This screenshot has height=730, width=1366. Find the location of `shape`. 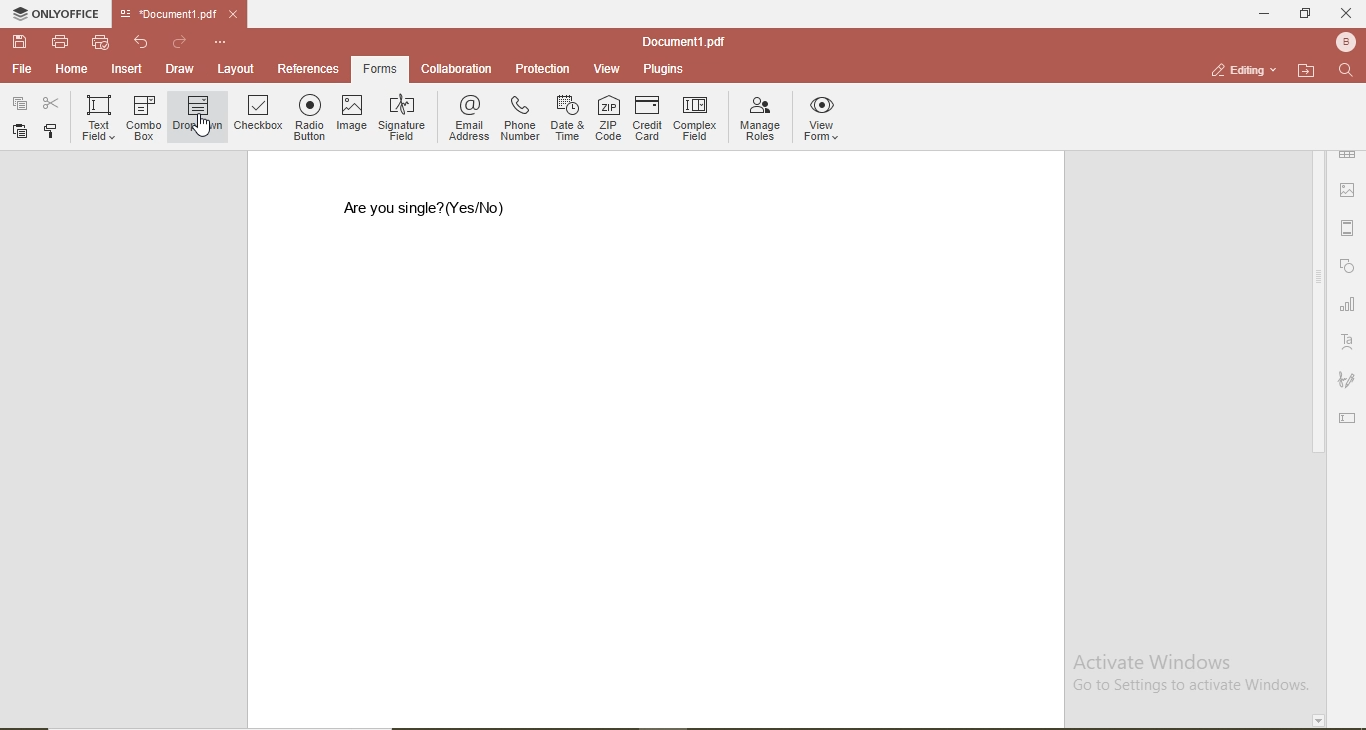

shape is located at coordinates (1351, 269).